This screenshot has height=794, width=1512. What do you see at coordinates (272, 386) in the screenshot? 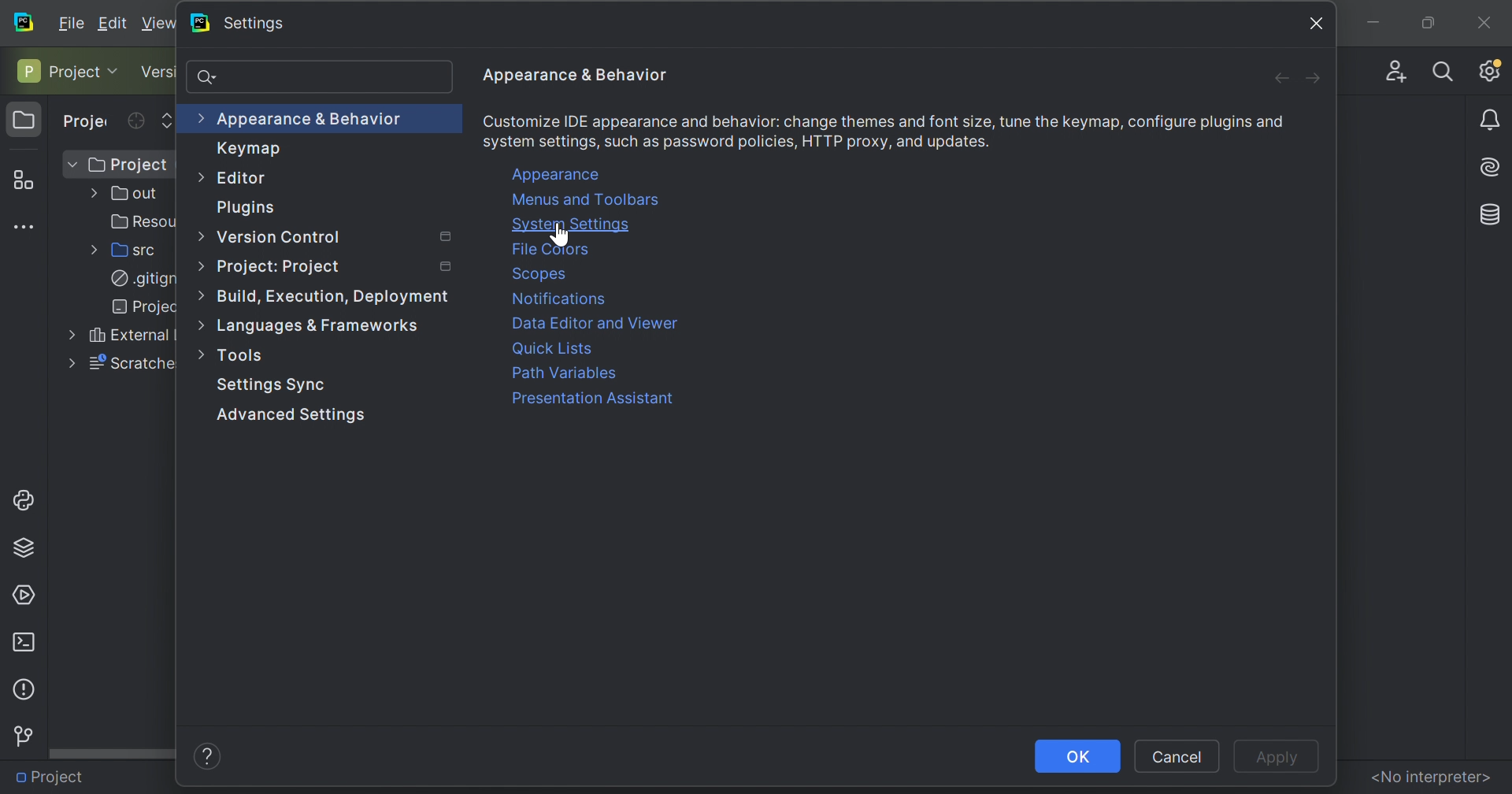
I see `Settings Sync` at bounding box center [272, 386].